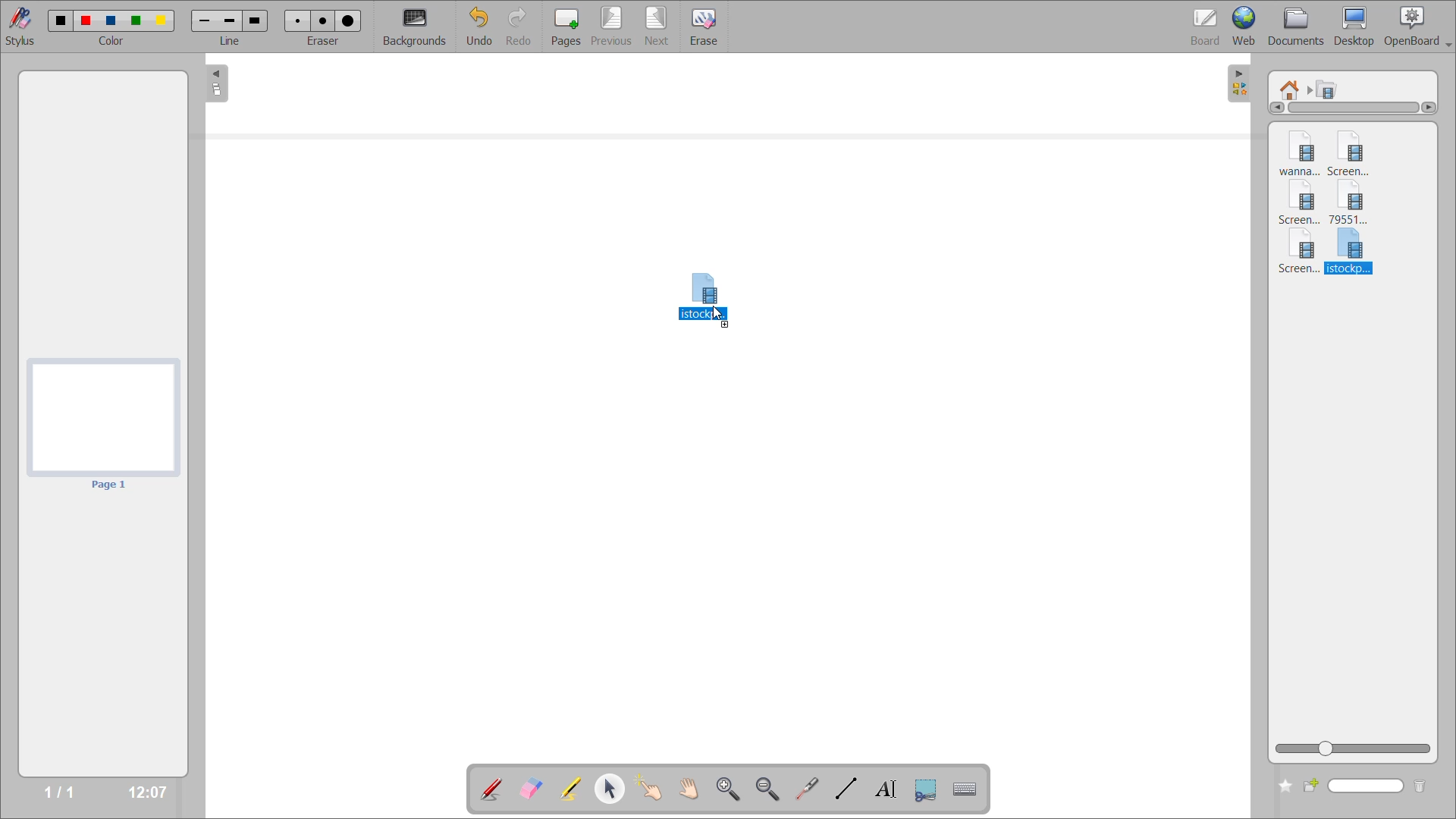 The width and height of the screenshot is (1456, 819). What do you see at coordinates (1296, 255) in the screenshot?
I see `Video 5` at bounding box center [1296, 255].